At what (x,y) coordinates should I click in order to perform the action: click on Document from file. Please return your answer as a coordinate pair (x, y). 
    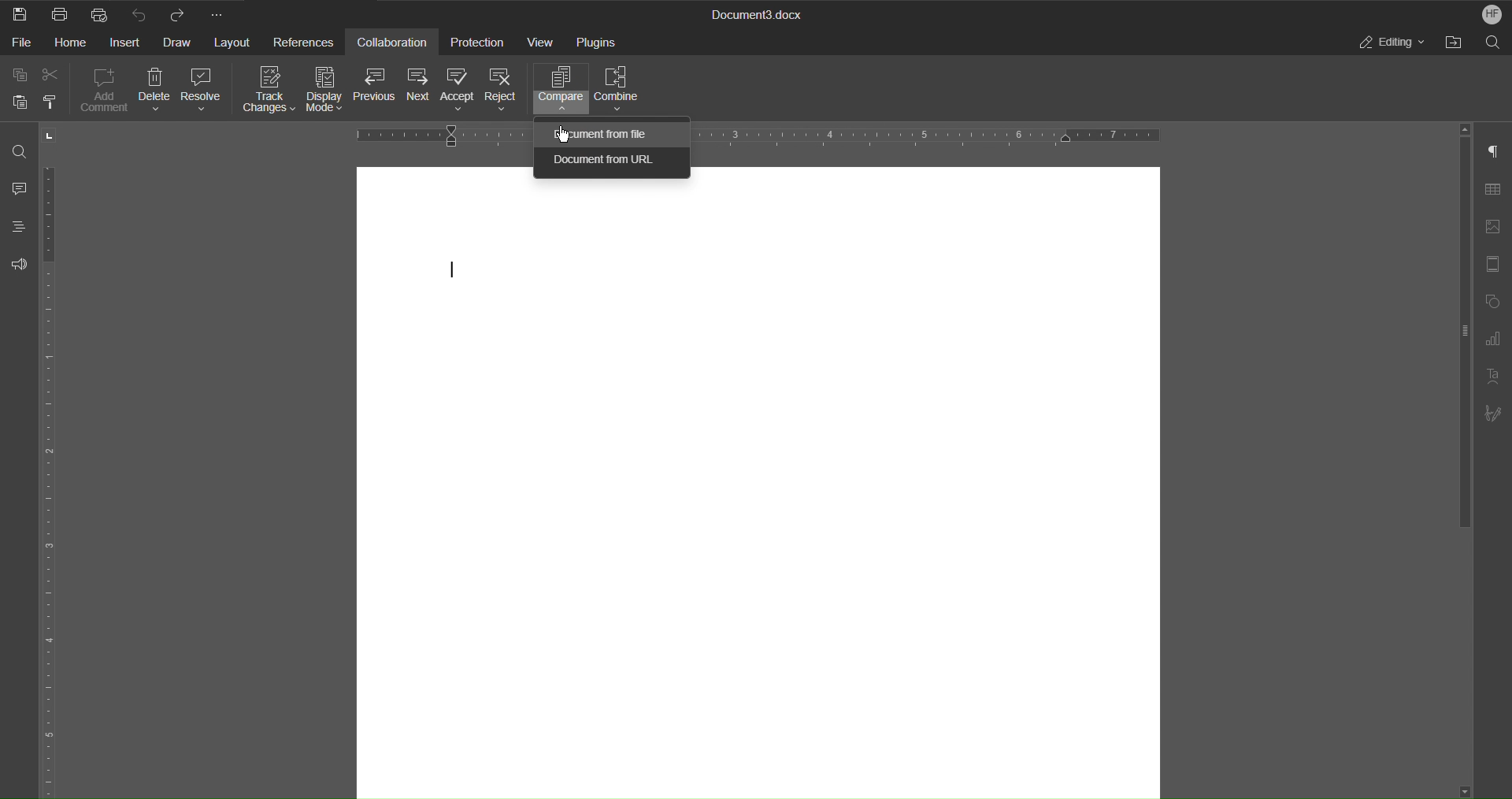
    Looking at the image, I should click on (601, 133).